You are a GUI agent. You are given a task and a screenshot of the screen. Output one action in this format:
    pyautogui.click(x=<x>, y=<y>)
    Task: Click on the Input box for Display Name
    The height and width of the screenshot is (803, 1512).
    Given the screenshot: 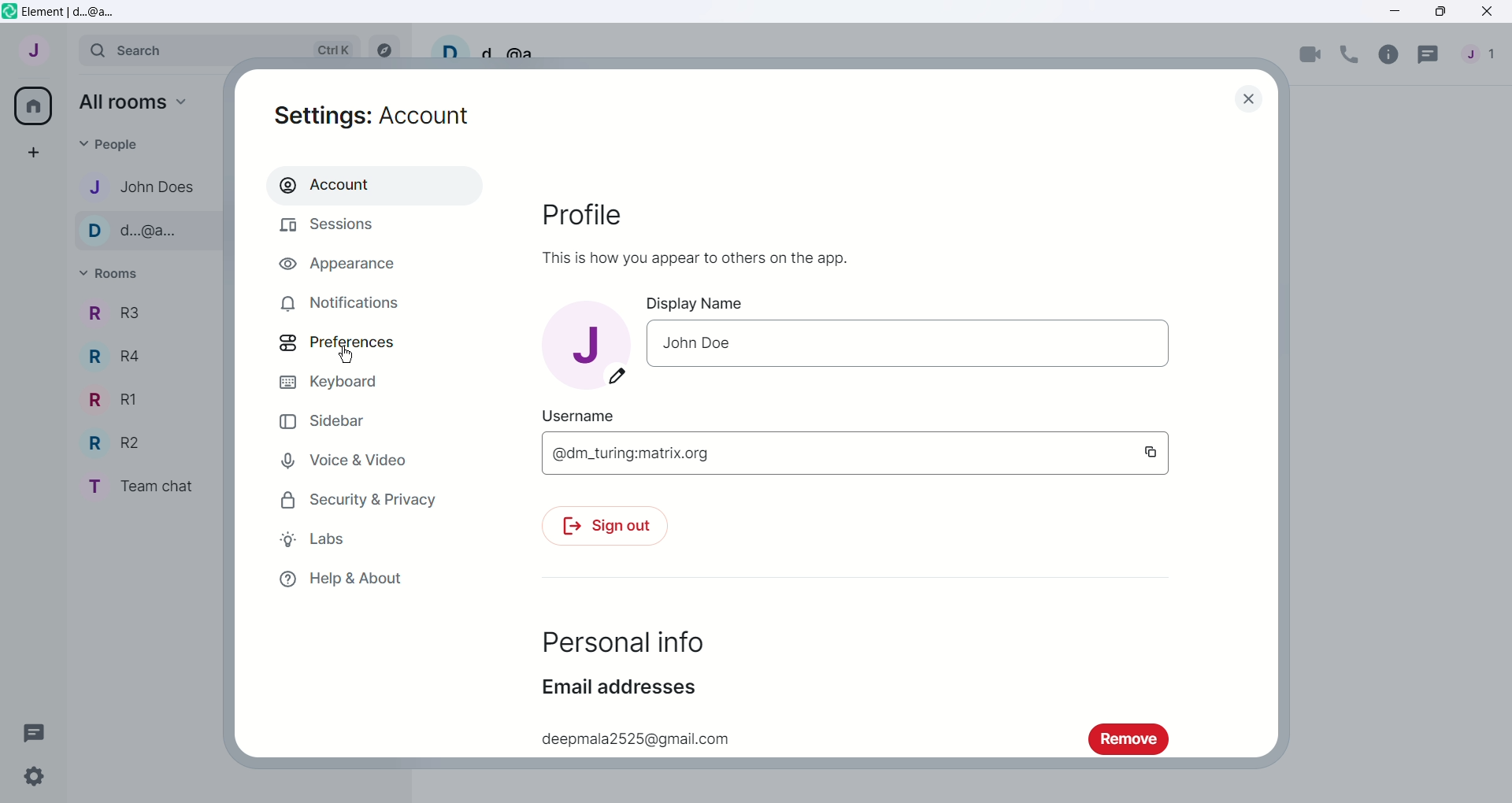 What is the action you would take?
    pyautogui.click(x=952, y=343)
    